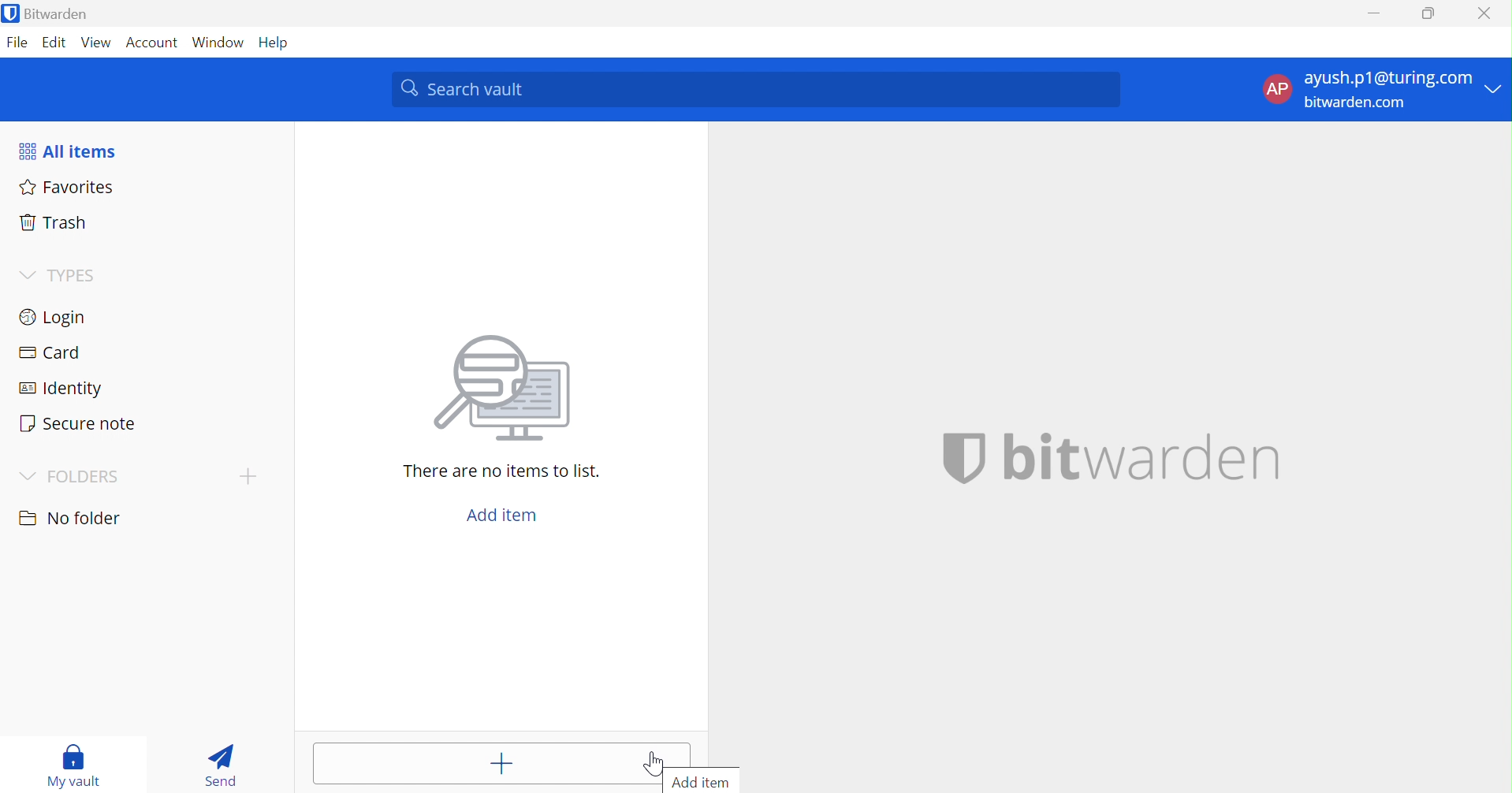 This screenshot has height=793, width=1512. I want to click on Restore down, so click(1431, 14).